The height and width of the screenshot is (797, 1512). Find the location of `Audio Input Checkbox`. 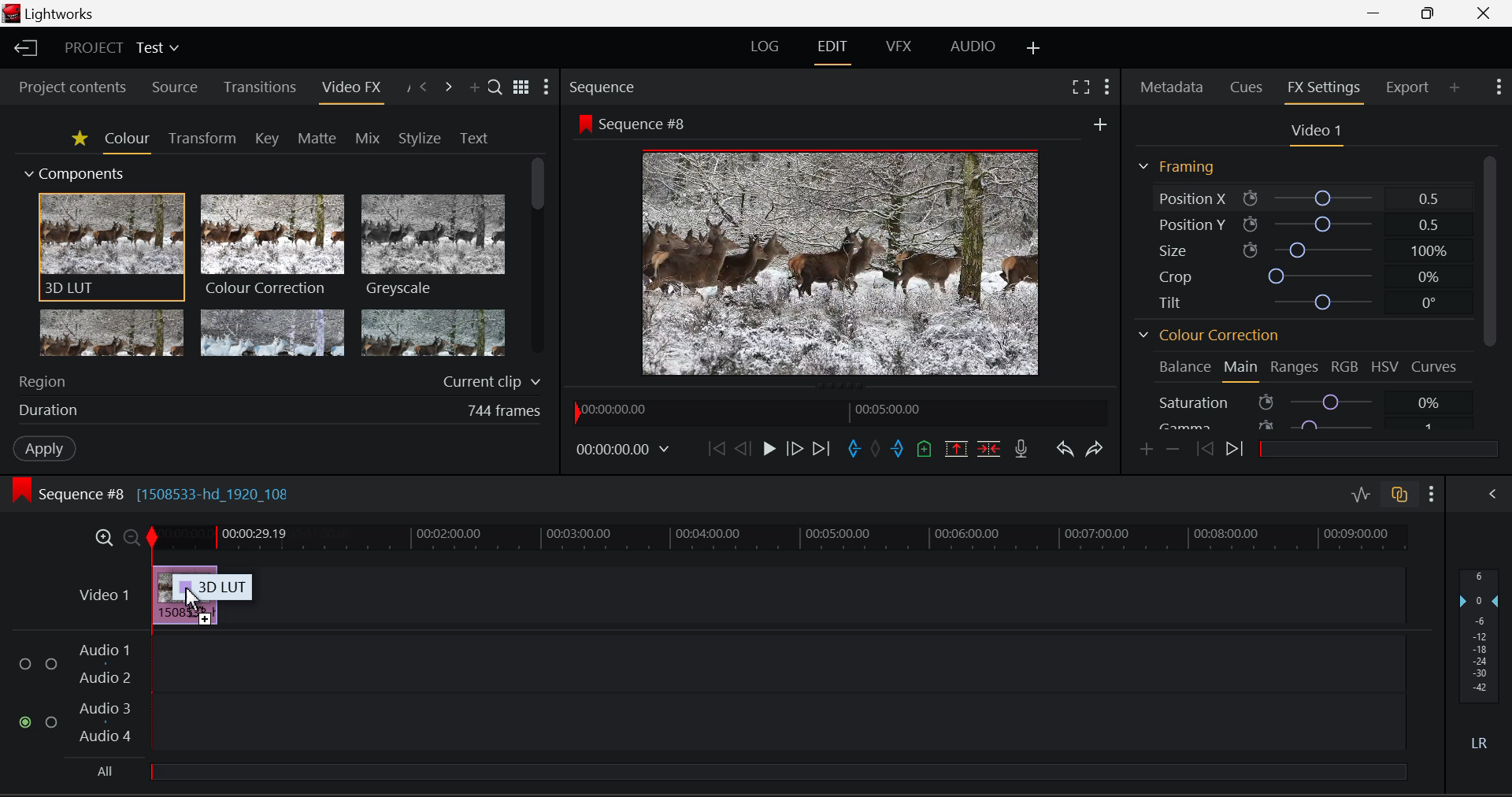

Audio Input Checkbox is located at coordinates (24, 664).